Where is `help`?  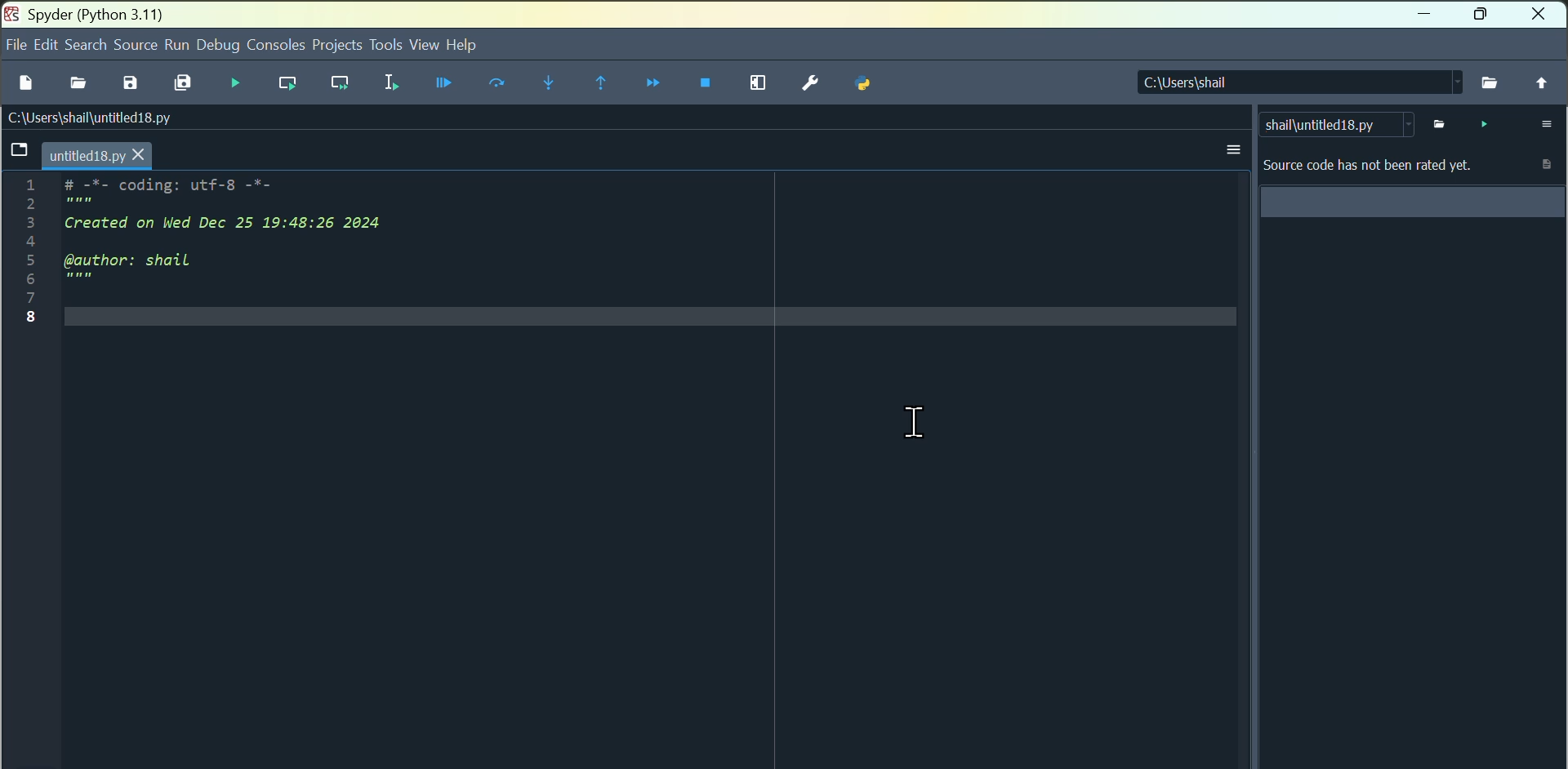 help is located at coordinates (461, 44).